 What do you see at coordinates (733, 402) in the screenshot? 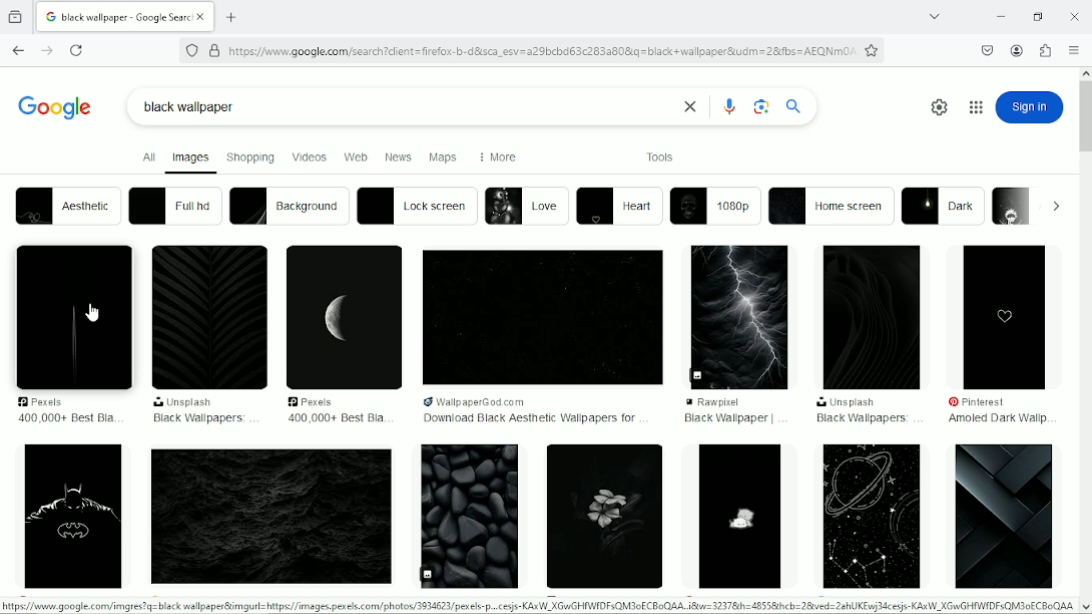
I see `rawpixel` at bounding box center [733, 402].